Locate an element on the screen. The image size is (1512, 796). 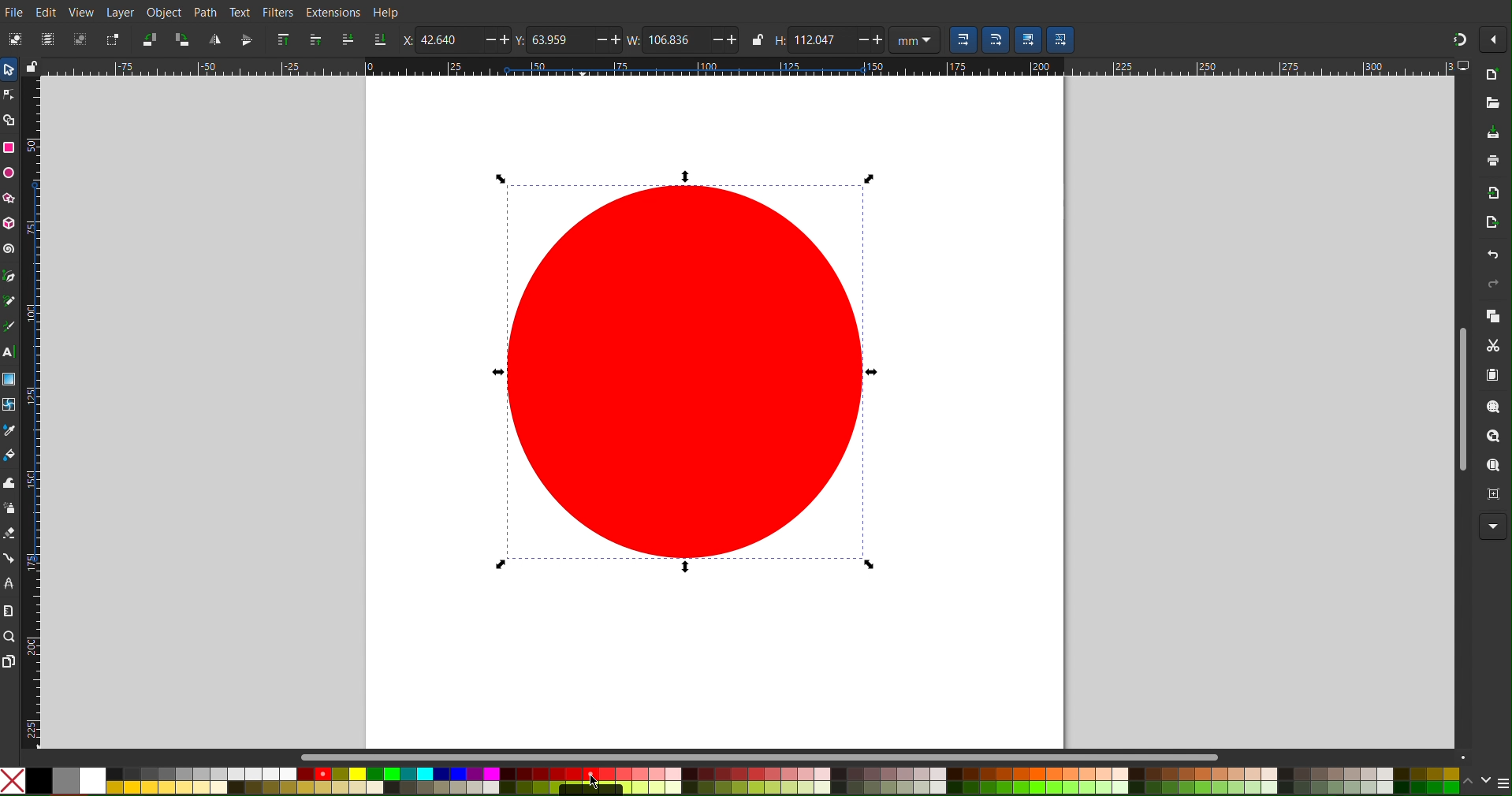
menu is located at coordinates (1503, 778).